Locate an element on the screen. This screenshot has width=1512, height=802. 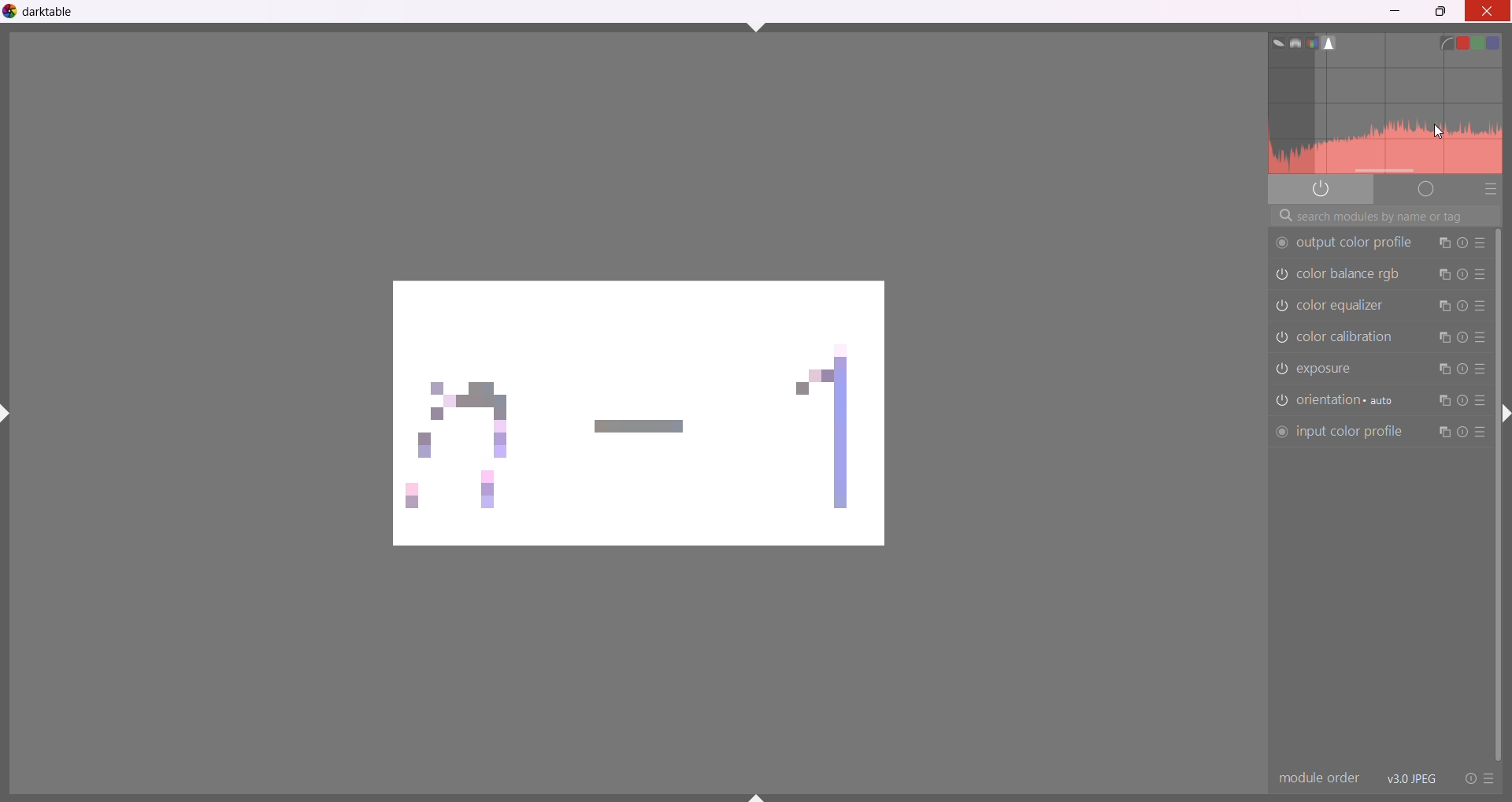
instance is located at coordinates (1442, 433).